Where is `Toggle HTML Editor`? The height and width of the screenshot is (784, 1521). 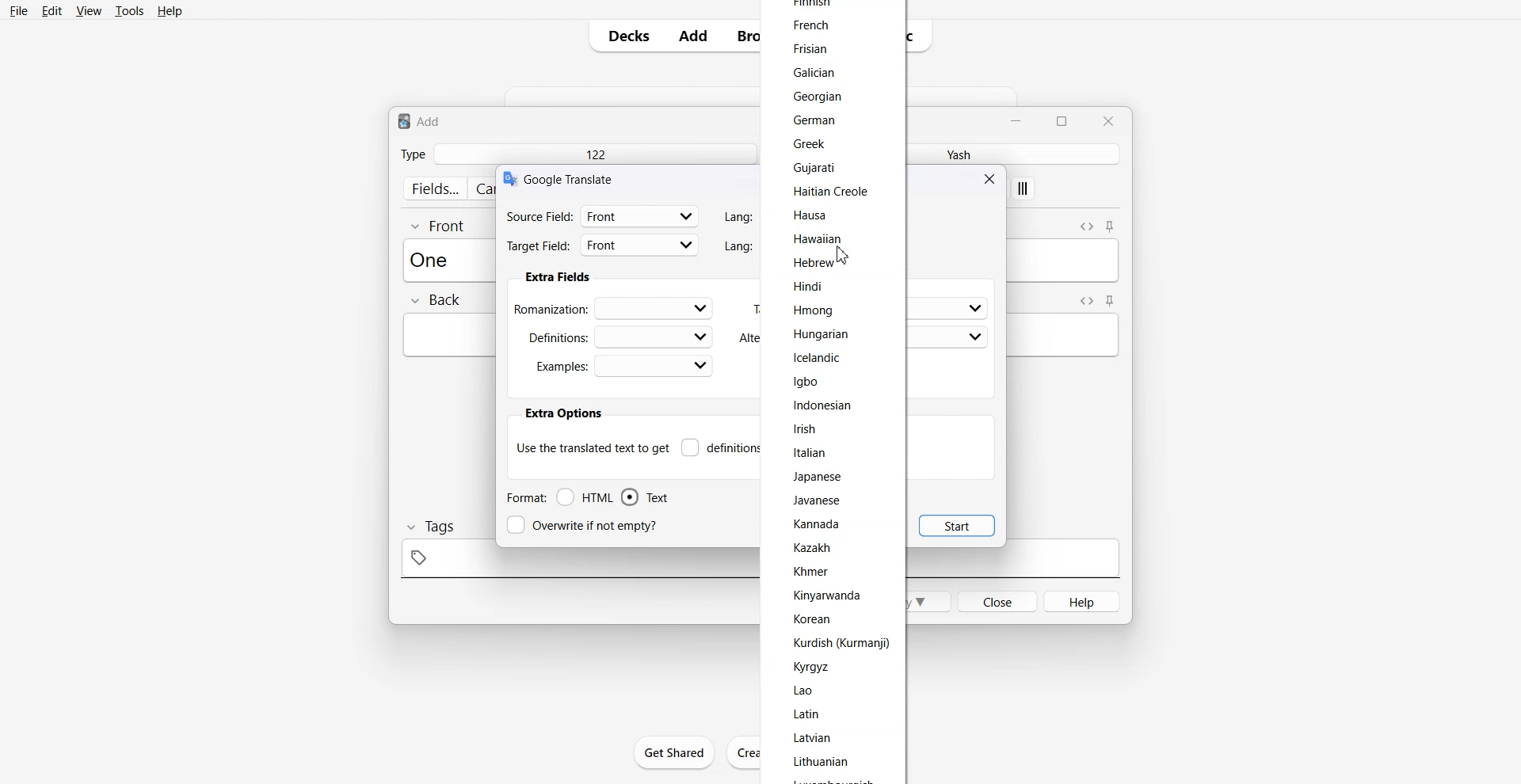
Toggle HTML Editor is located at coordinates (1084, 300).